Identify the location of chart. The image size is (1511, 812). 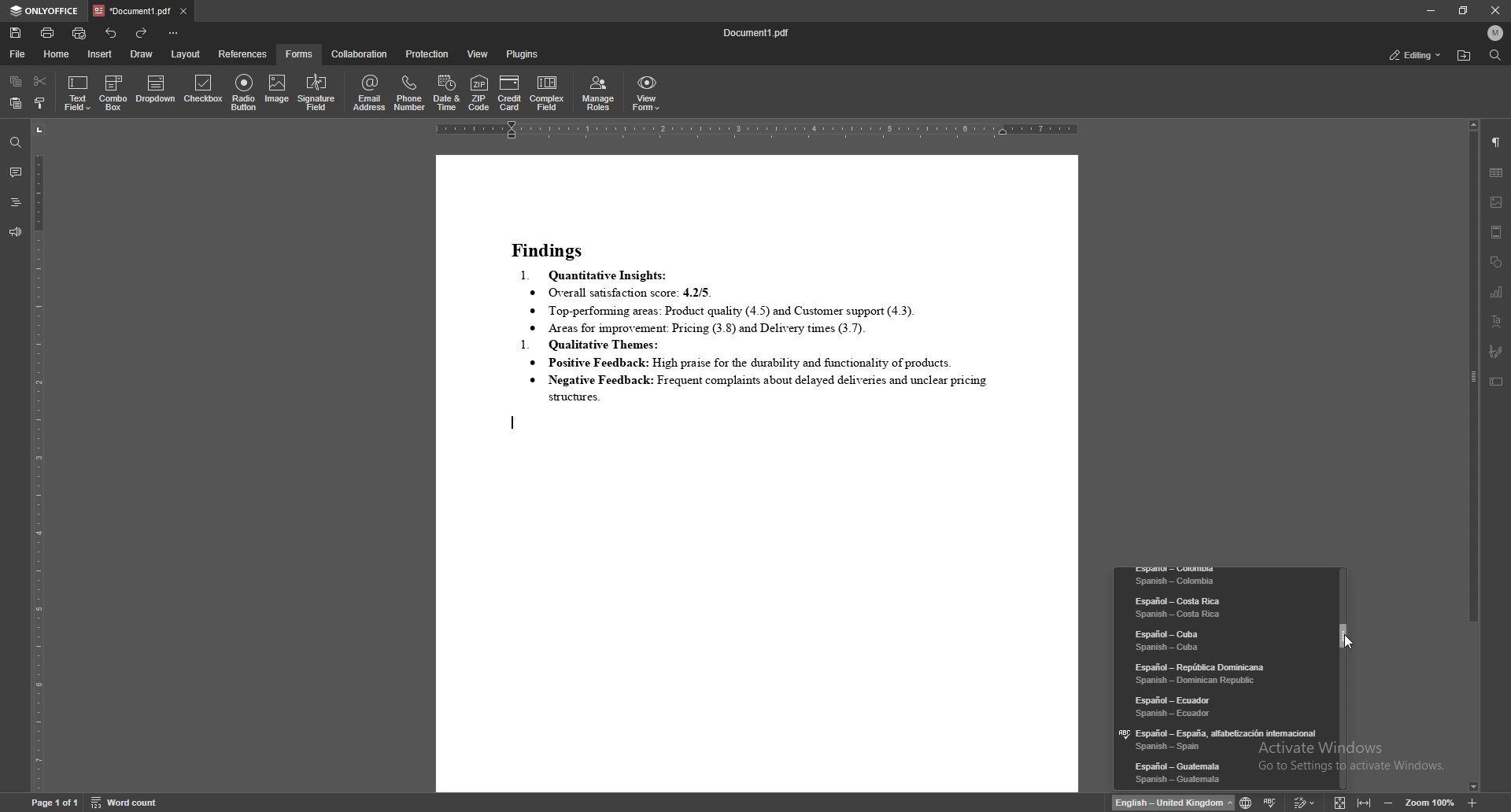
(1498, 292).